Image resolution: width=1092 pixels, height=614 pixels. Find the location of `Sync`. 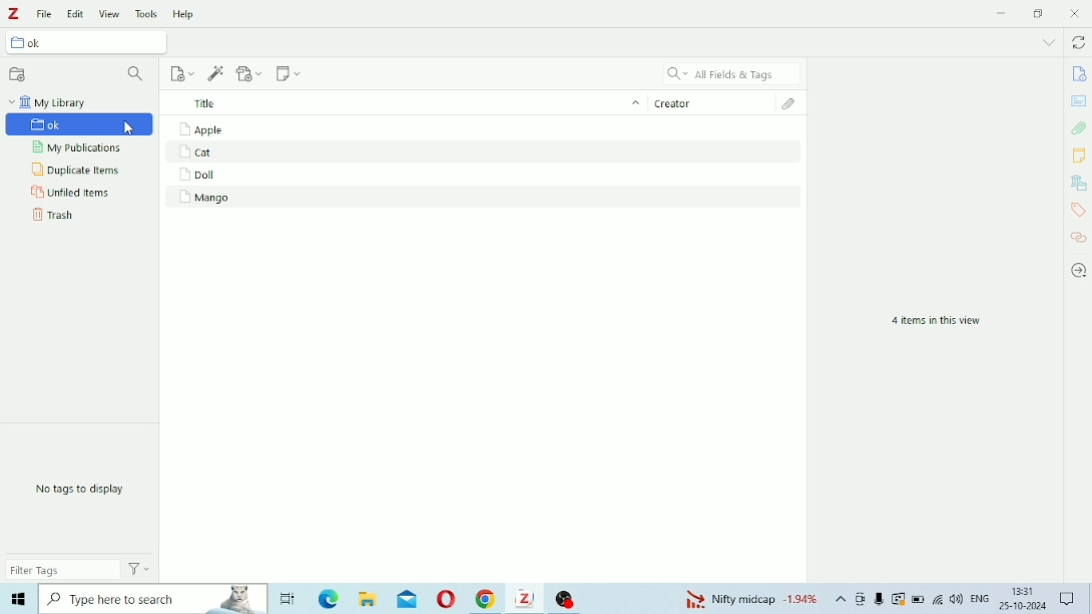

Sync is located at coordinates (1078, 42).